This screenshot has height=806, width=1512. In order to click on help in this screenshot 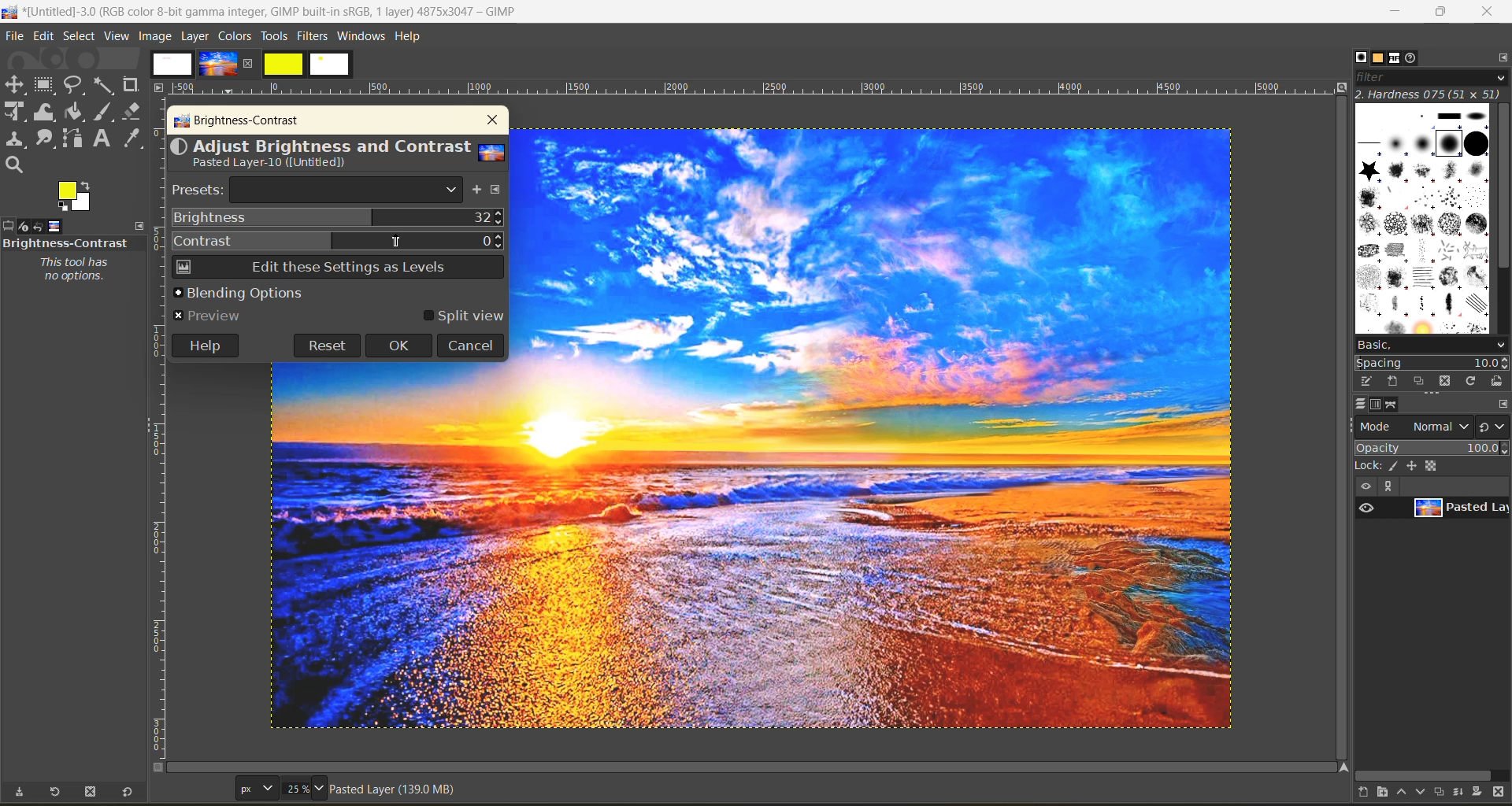, I will do `click(204, 344)`.